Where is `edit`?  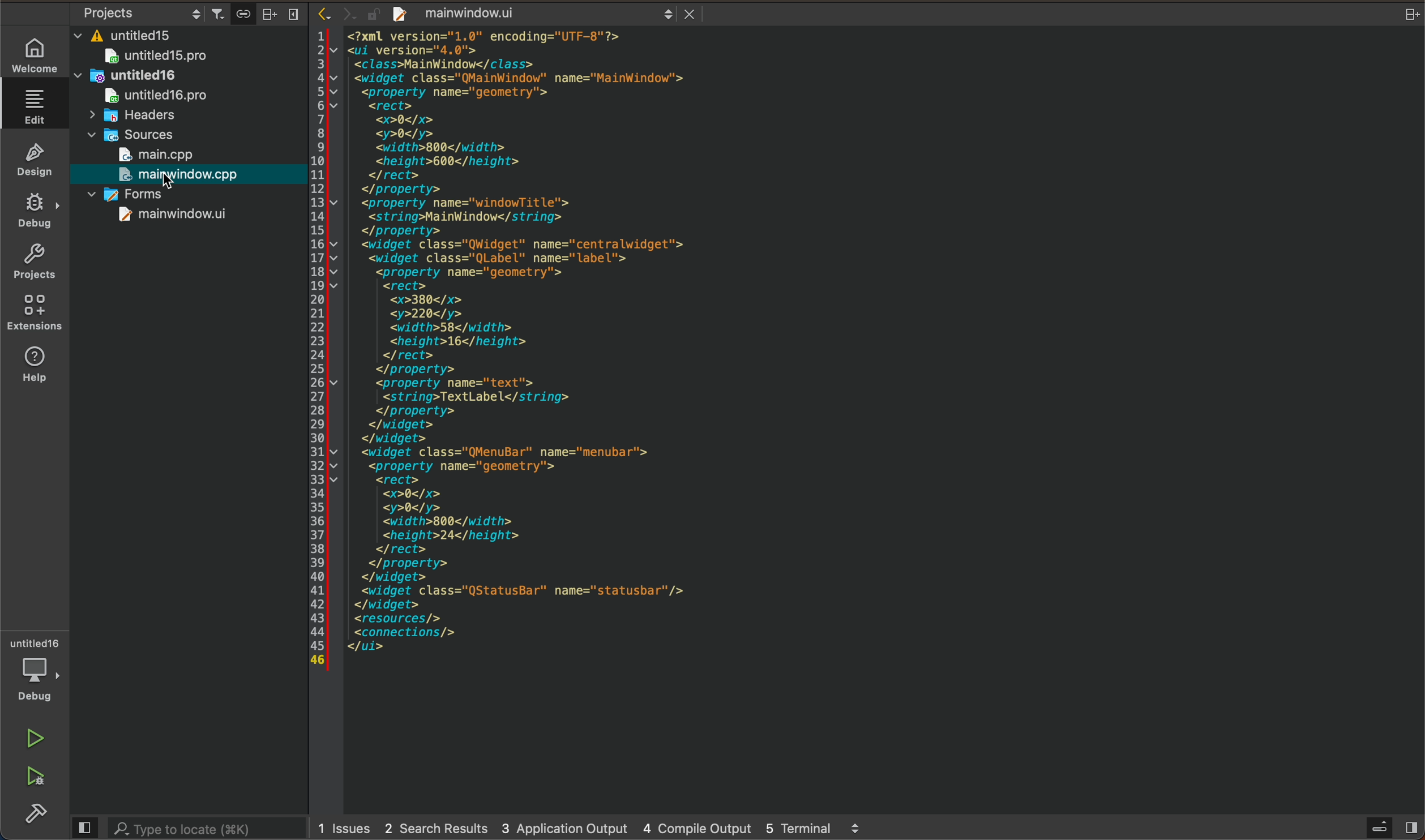
edit is located at coordinates (35, 106).